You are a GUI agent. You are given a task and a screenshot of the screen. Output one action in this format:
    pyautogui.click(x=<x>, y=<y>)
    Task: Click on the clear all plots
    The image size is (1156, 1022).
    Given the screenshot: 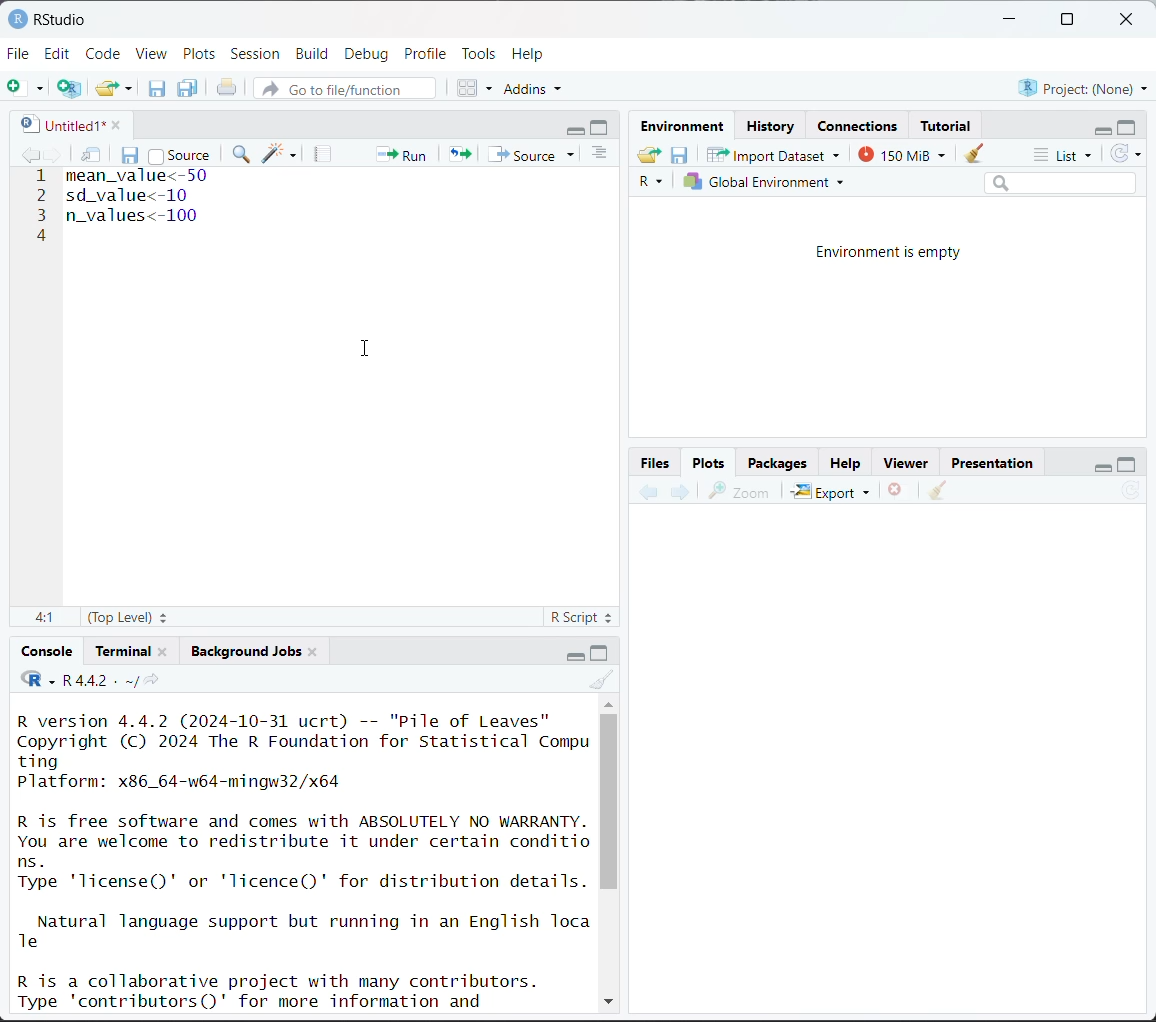 What is the action you would take?
    pyautogui.click(x=938, y=491)
    